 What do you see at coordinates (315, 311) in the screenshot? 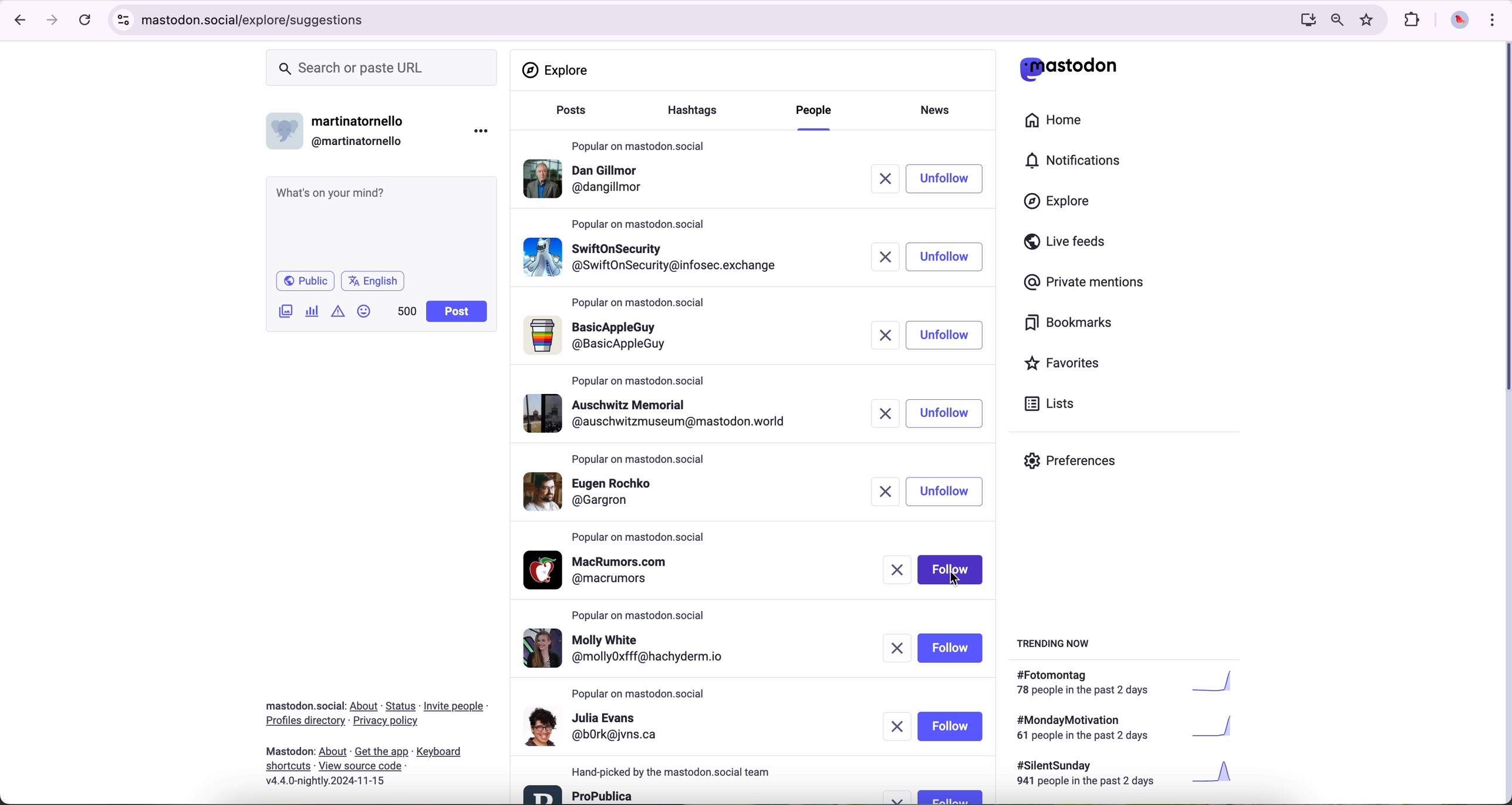
I see `charts` at bounding box center [315, 311].